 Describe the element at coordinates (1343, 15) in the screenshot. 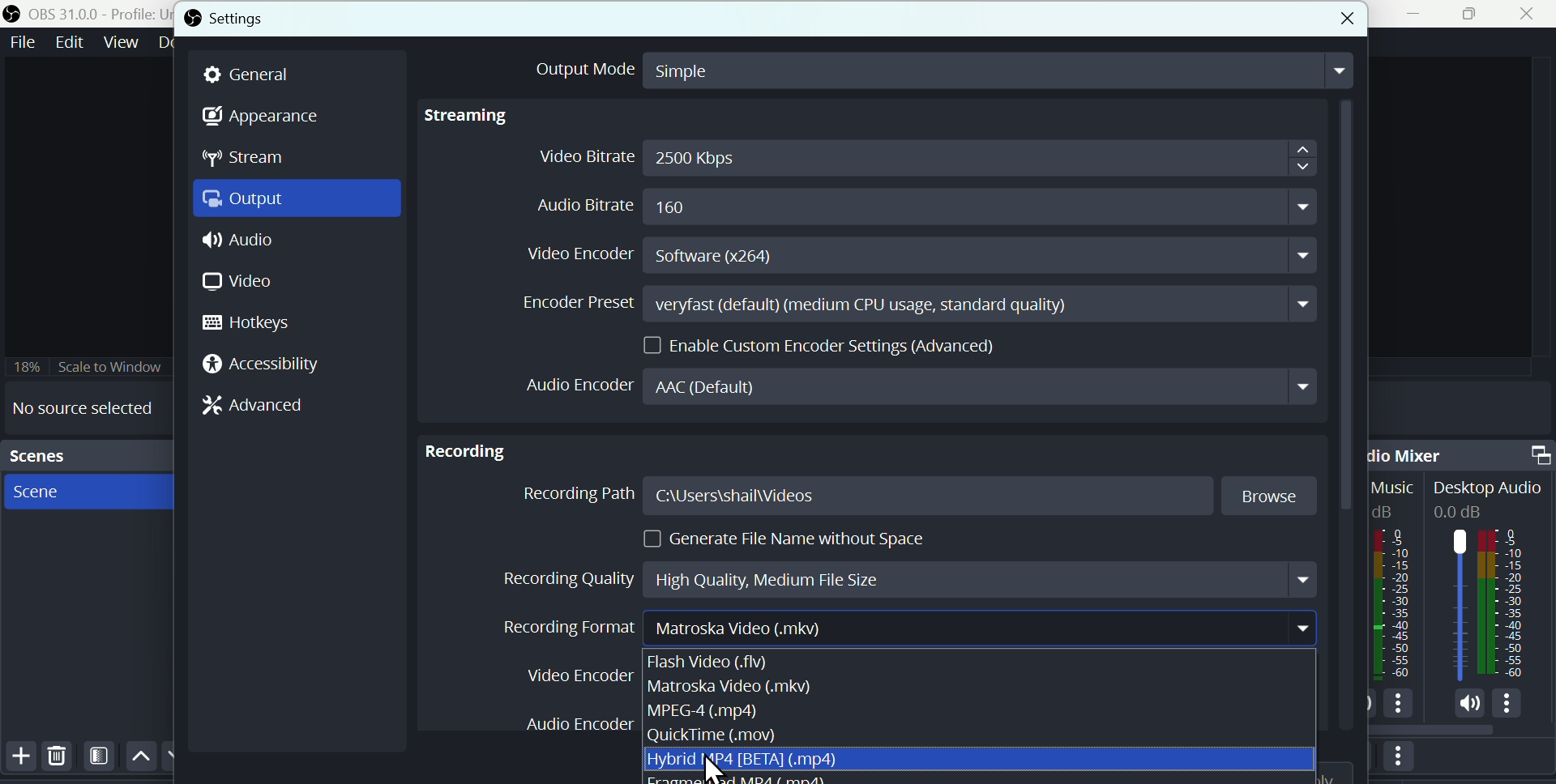

I see `close` at that location.